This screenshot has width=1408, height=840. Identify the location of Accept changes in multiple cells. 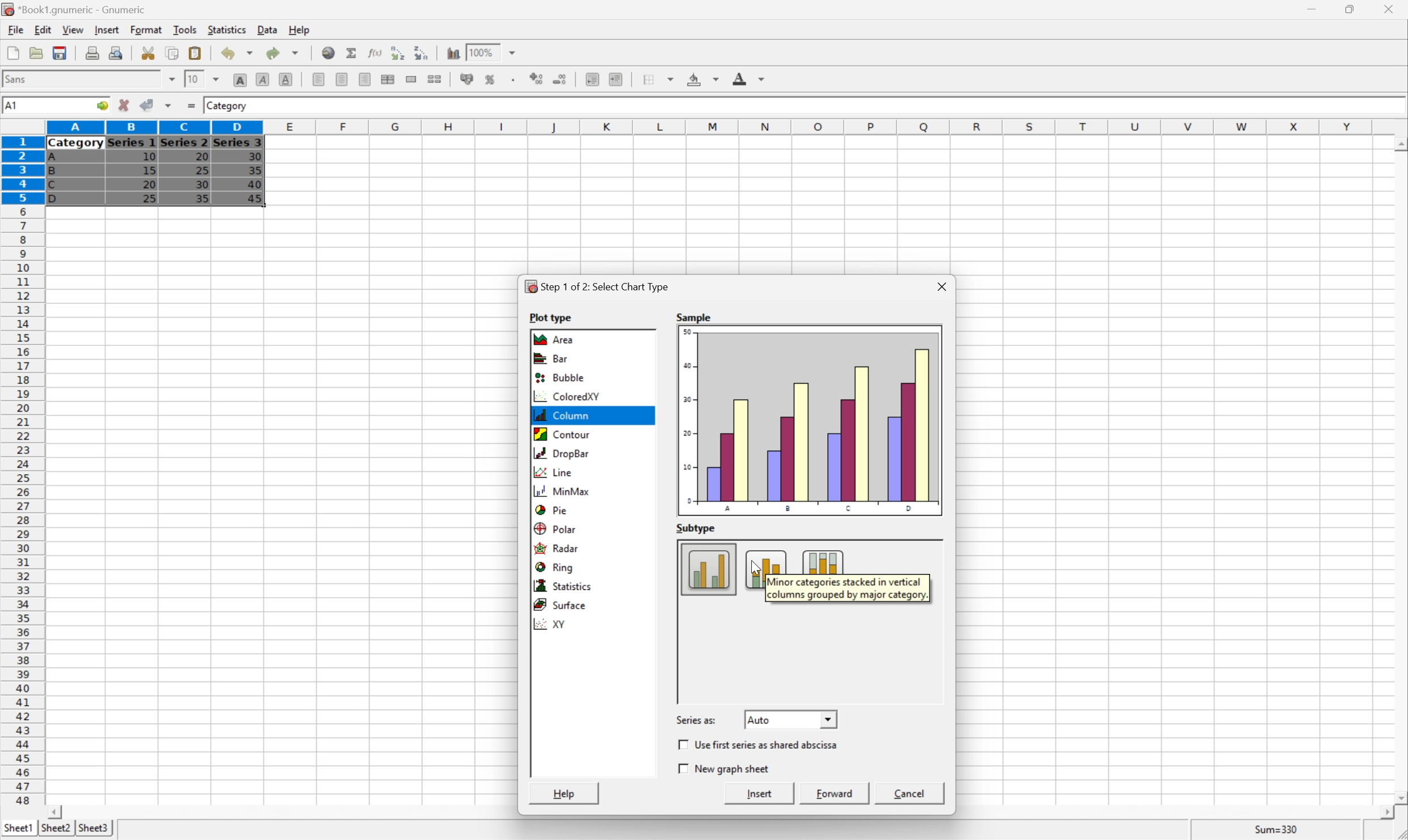
(168, 105).